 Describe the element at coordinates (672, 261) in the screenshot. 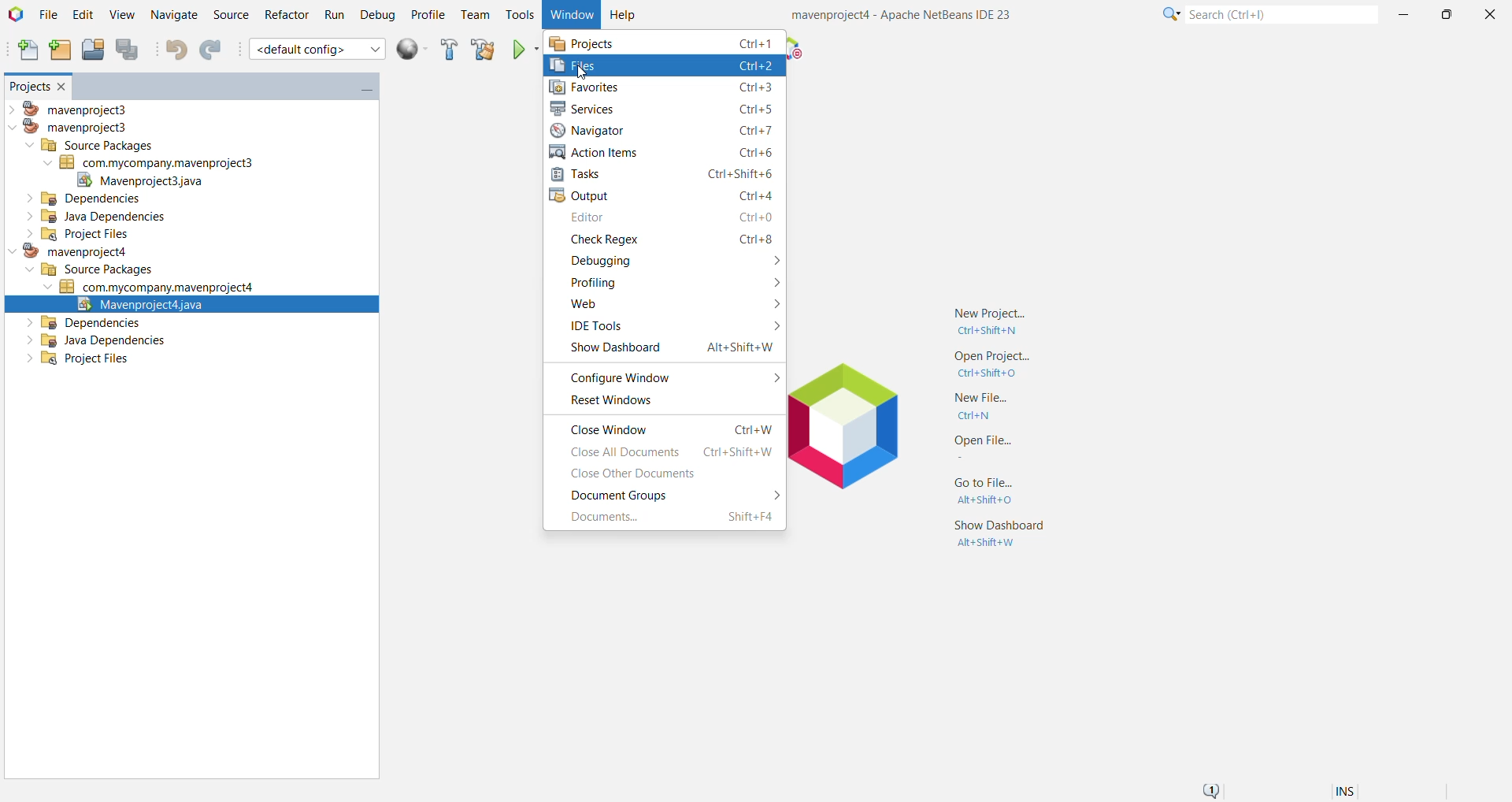

I see `Debugging` at that location.